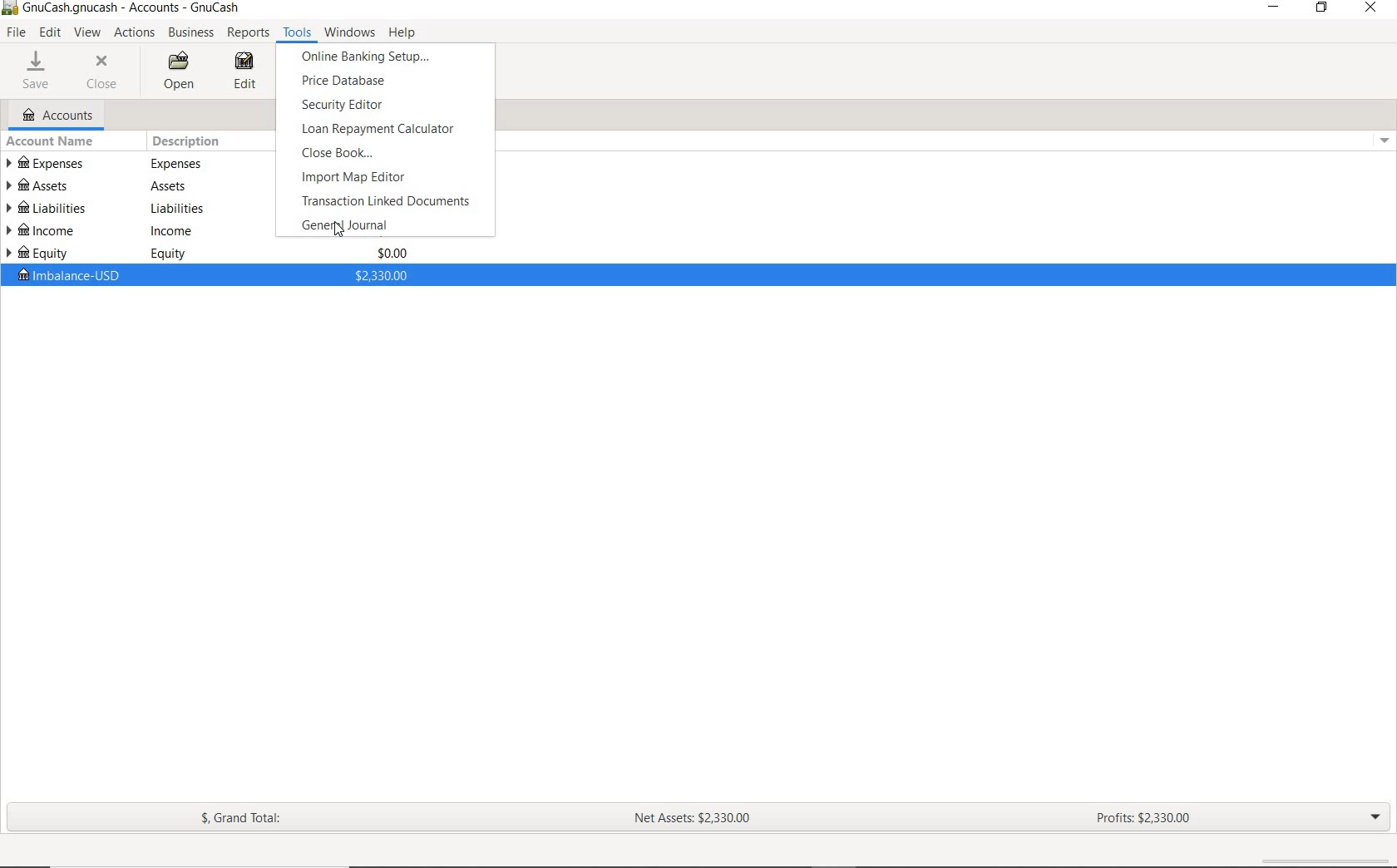  I want to click on GRAND TOTAL, so click(239, 816).